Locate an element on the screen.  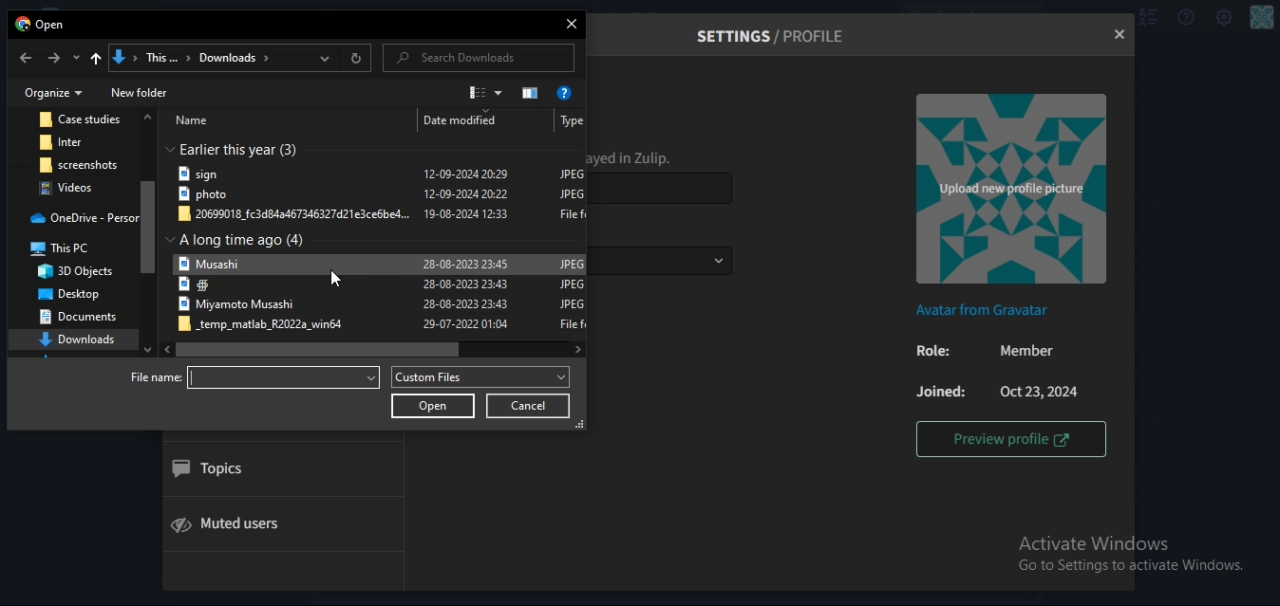
documnet is located at coordinates (78, 319).